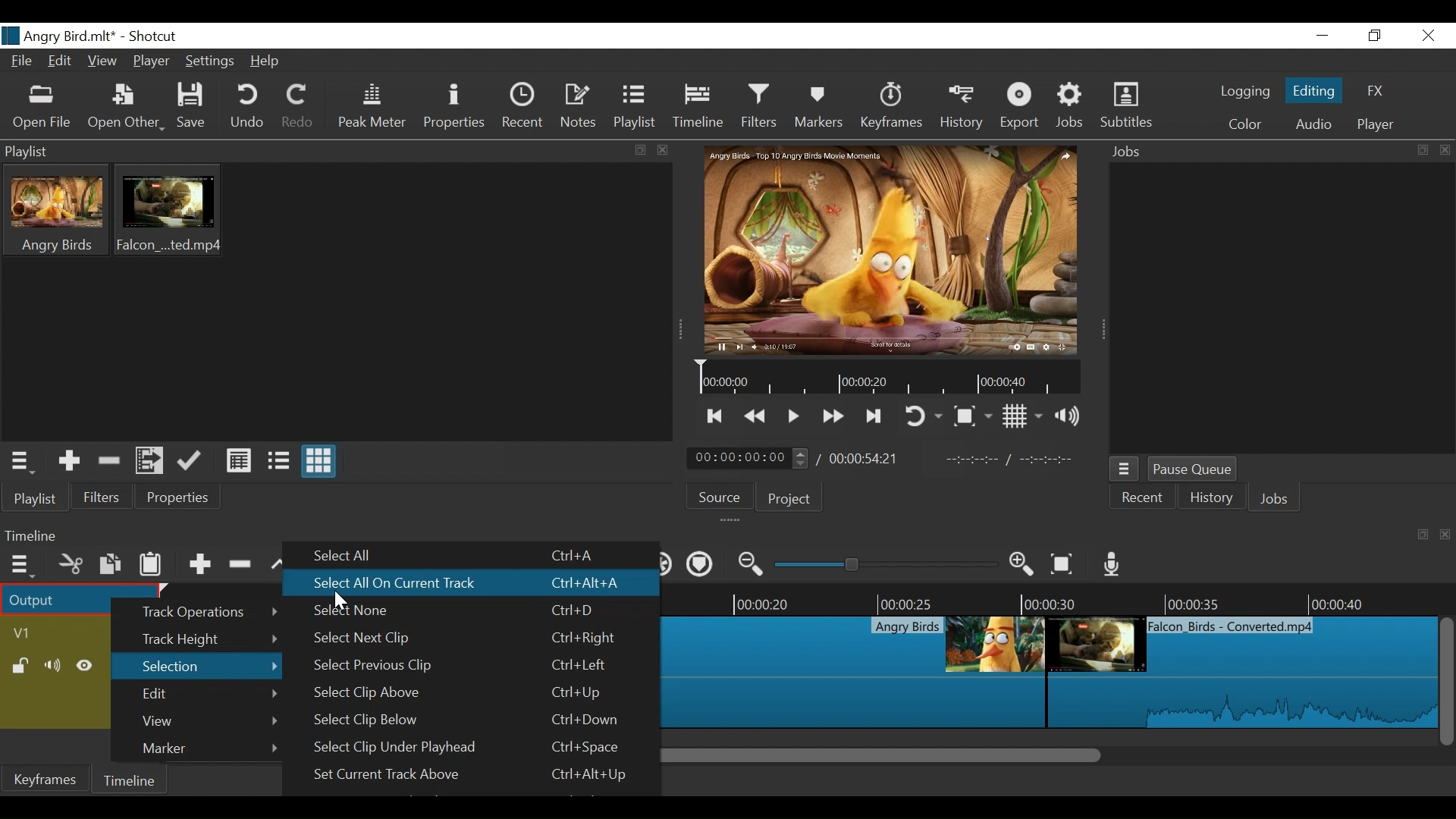 The height and width of the screenshot is (819, 1456). What do you see at coordinates (61, 62) in the screenshot?
I see `Edit` at bounding box center [61, 62].